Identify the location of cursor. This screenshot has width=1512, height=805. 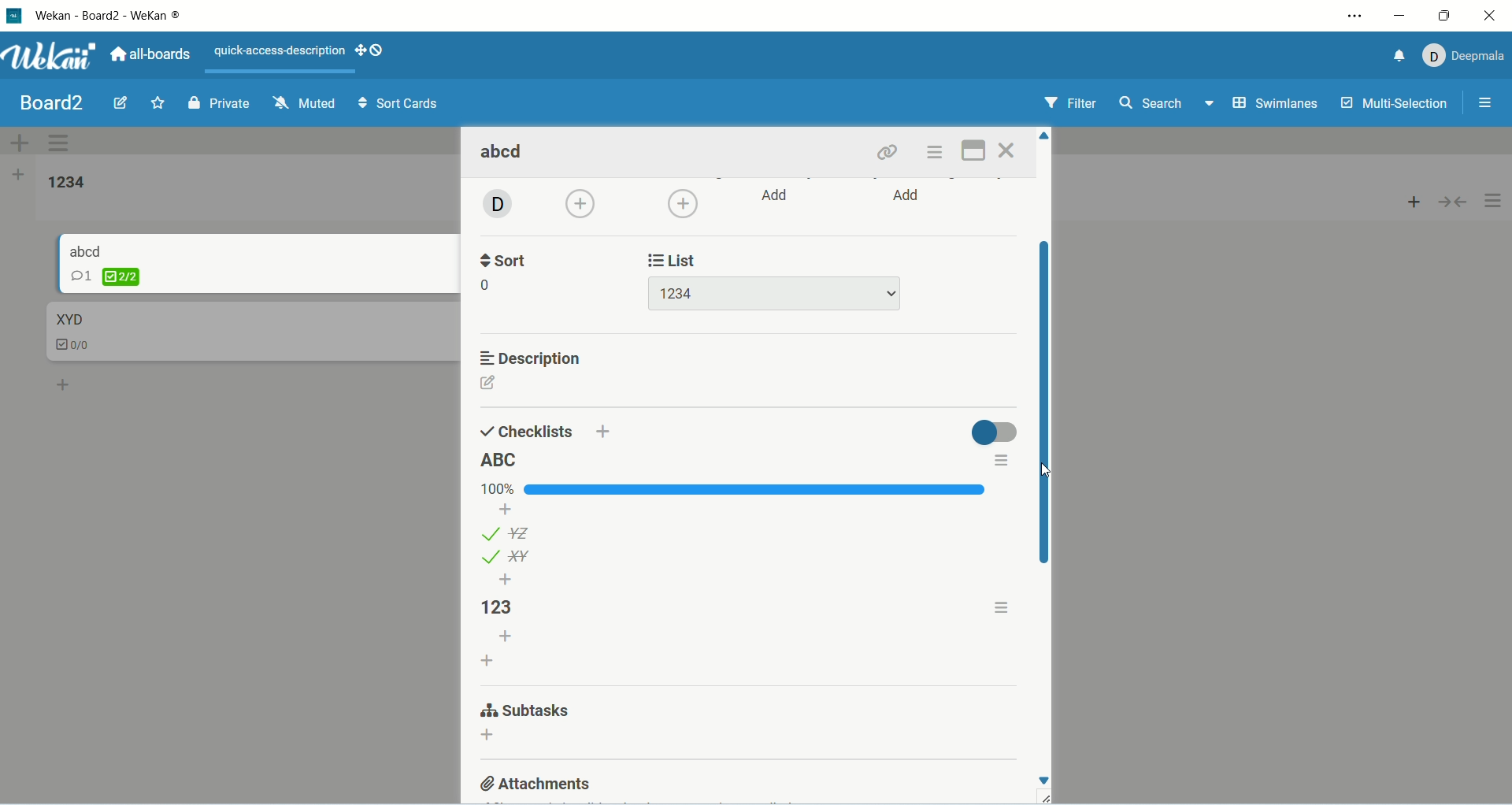
(1041, 469).